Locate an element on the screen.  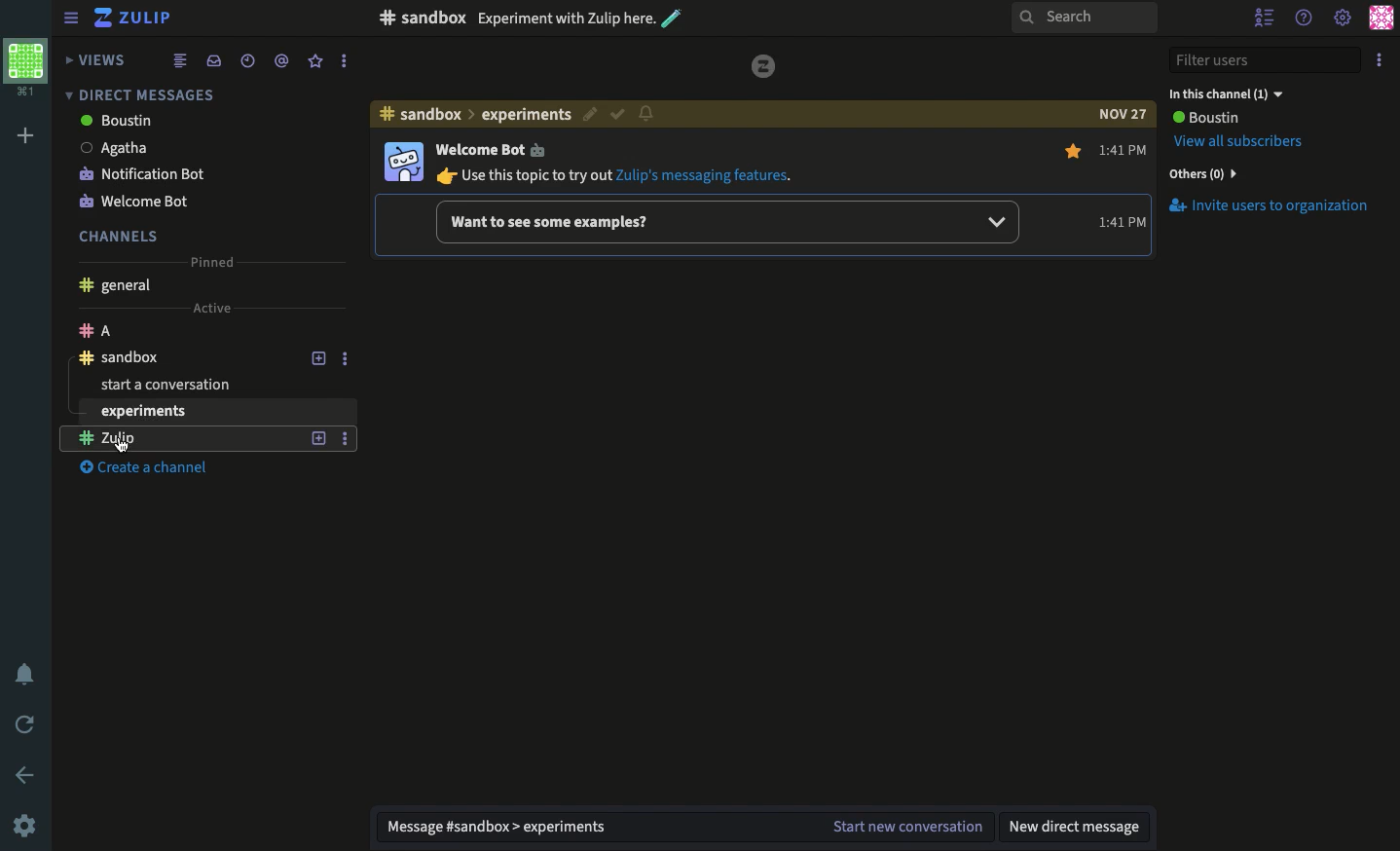
General is located at coordinates (114, 287).